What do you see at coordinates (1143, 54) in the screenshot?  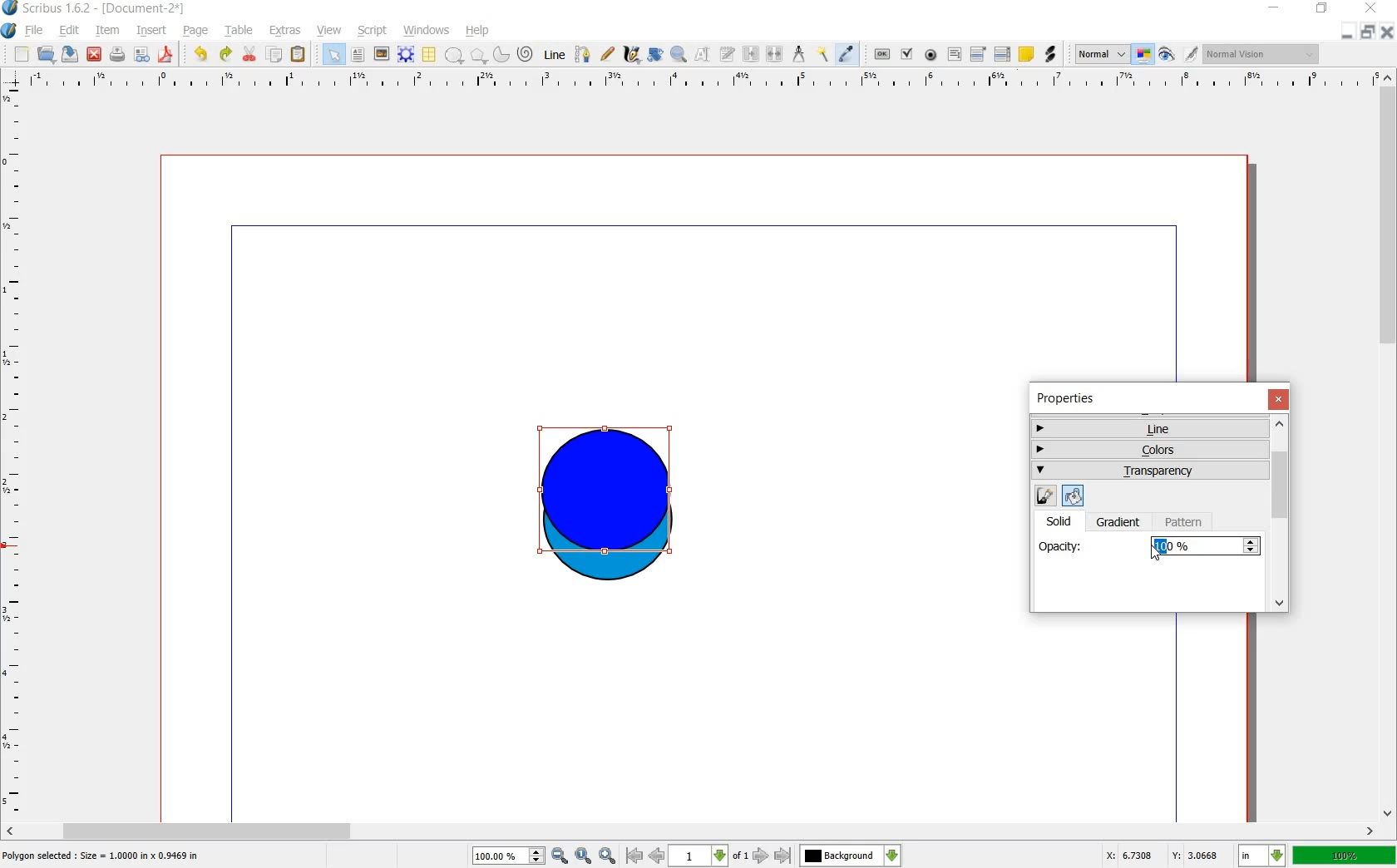 I see `toggle color management system` at bounding box center [1143, 54].